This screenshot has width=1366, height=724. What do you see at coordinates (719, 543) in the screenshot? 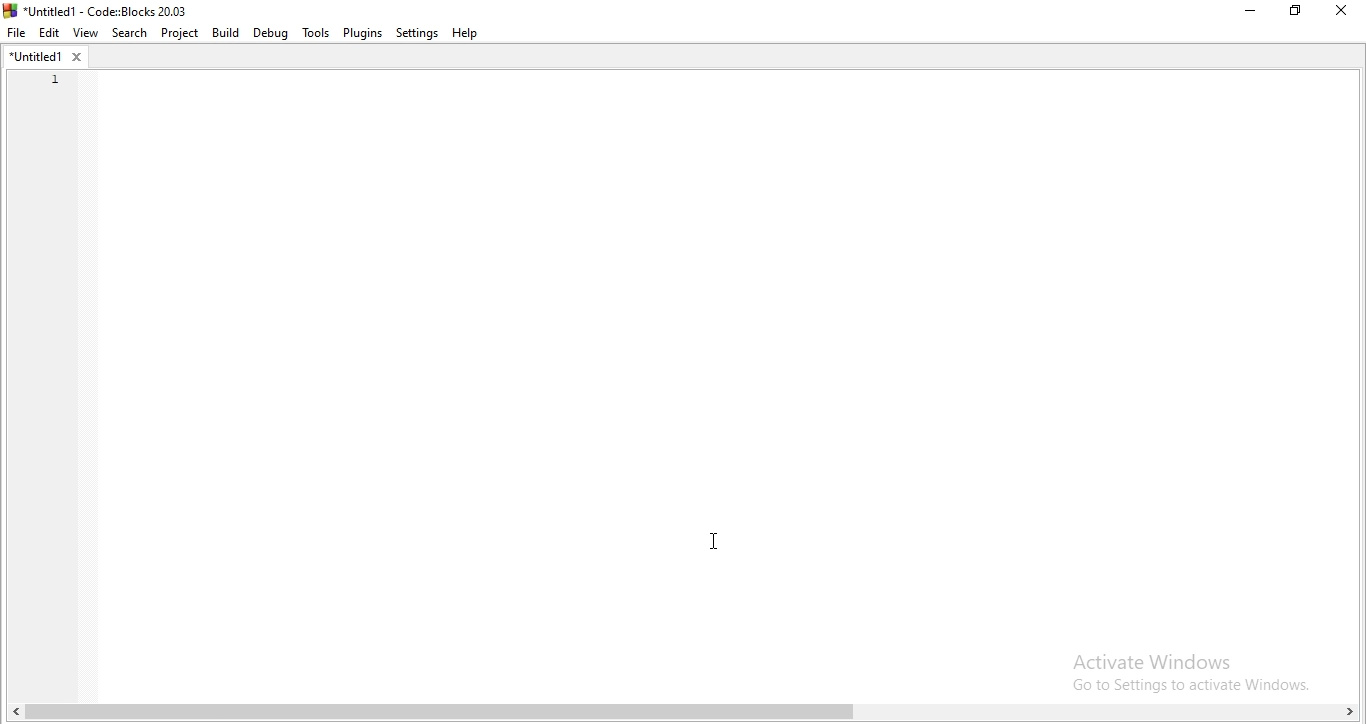
I see `cursor on code area` at bounding box center [719, 543].